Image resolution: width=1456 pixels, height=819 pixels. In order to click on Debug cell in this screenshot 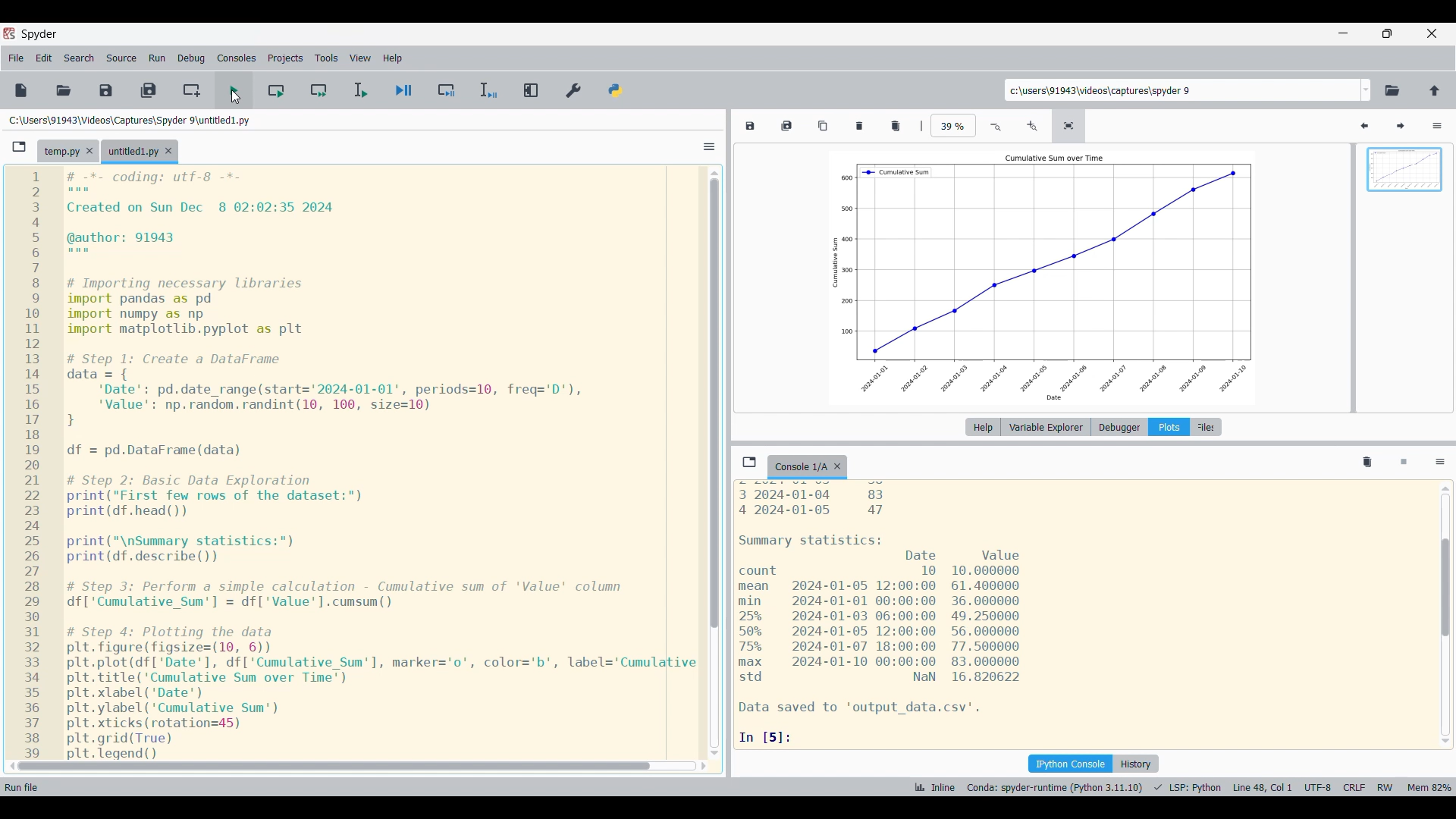, I will do `click(448, 90)`.